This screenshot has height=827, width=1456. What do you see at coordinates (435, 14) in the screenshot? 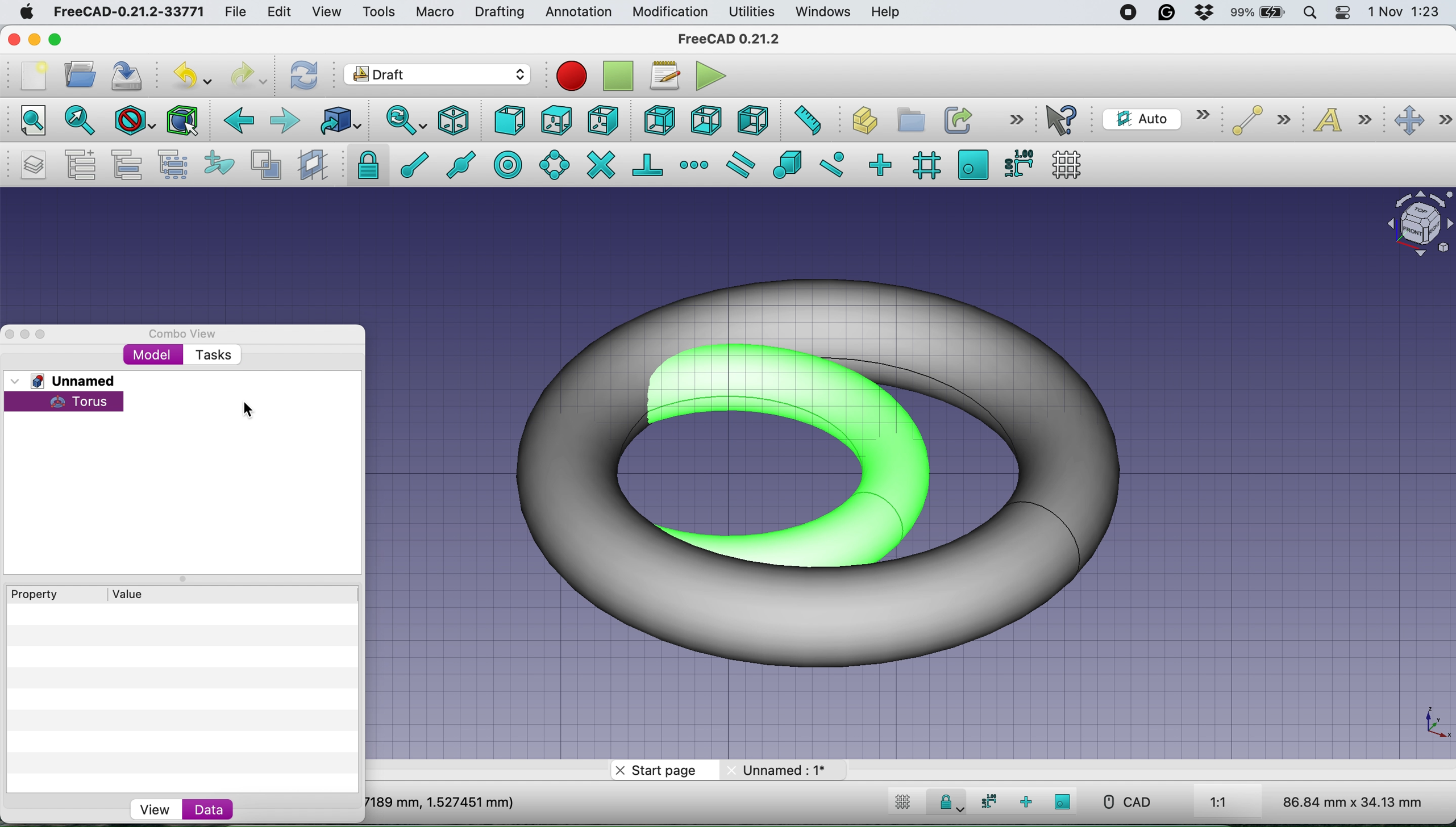
I see `macro` at bounding box center [435, 14].